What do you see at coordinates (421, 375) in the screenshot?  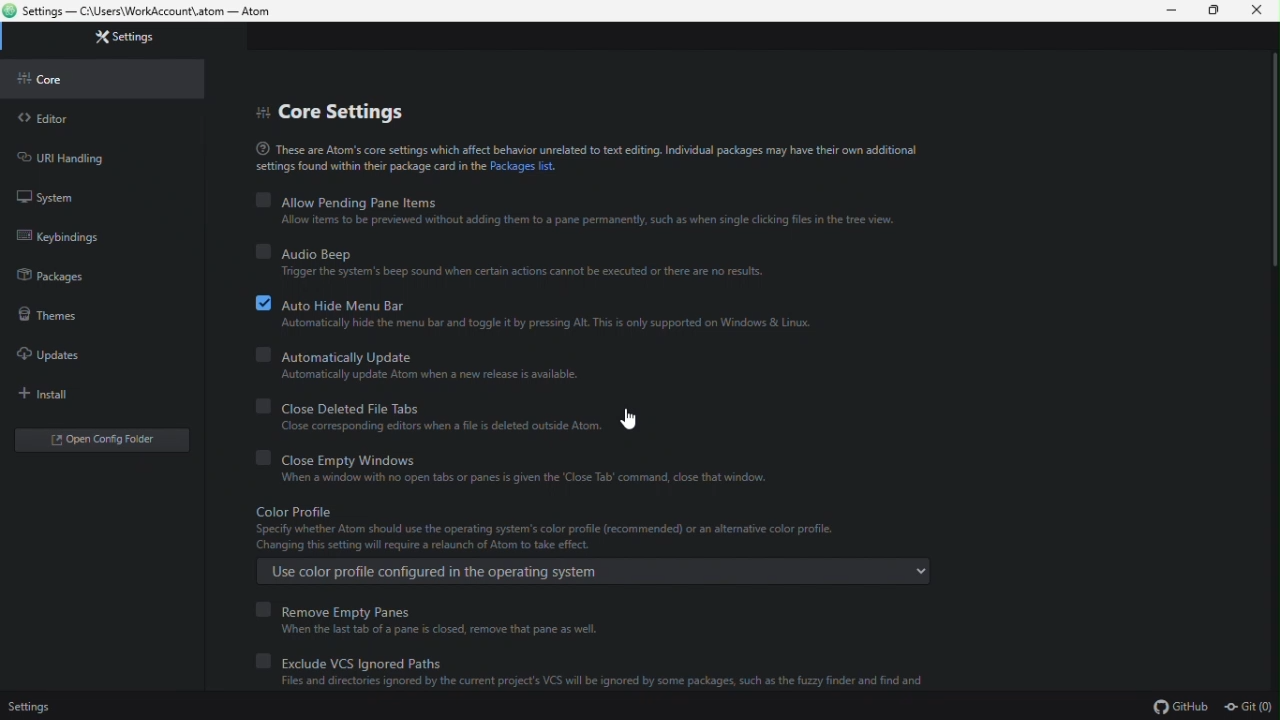 I see `Automatically Update atom when a new release is available.` at bounding box center [421, 375].